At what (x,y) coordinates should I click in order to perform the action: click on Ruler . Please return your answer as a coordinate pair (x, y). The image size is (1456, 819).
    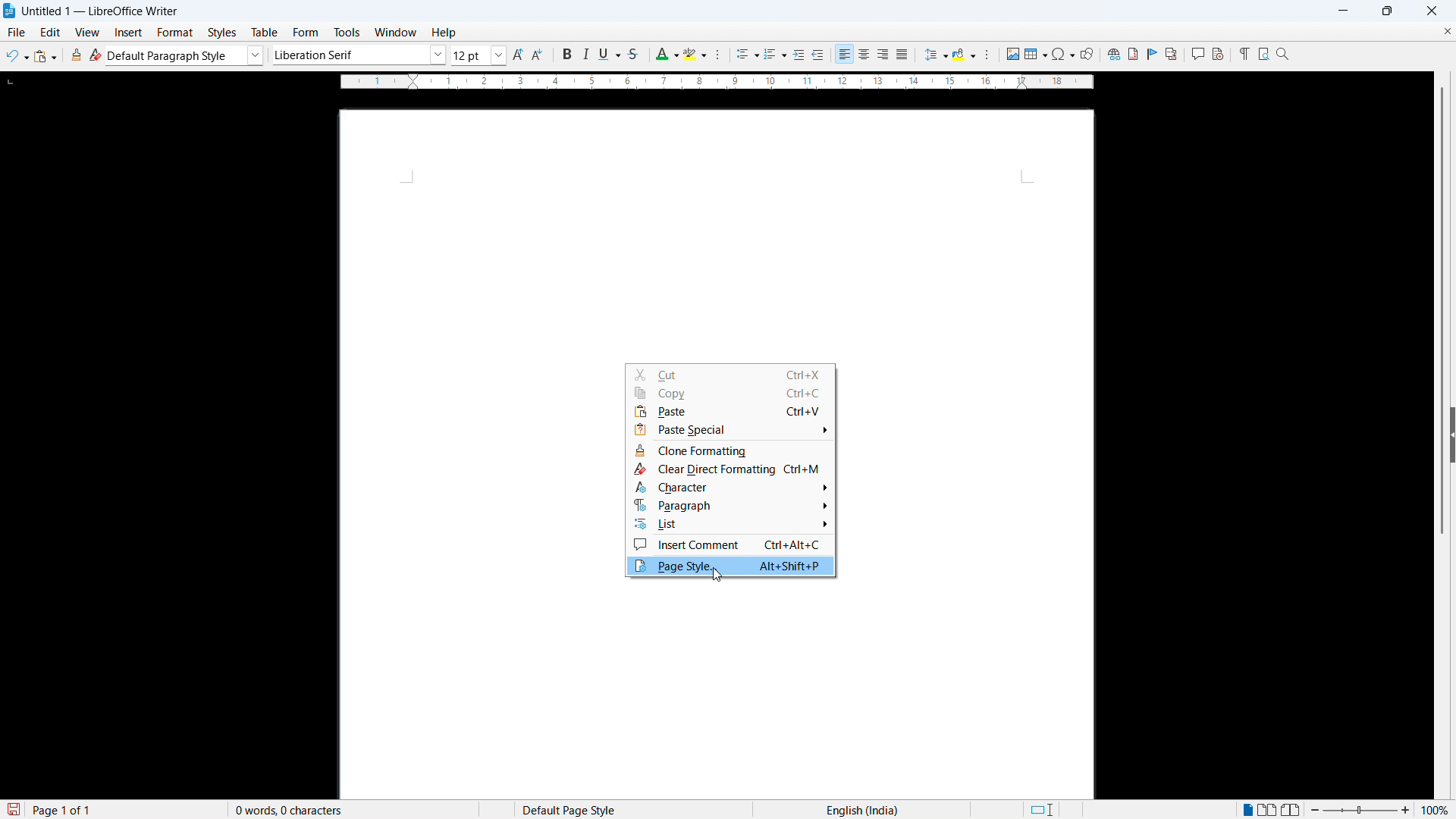
    Looking at the image, I should click on (717, 82).